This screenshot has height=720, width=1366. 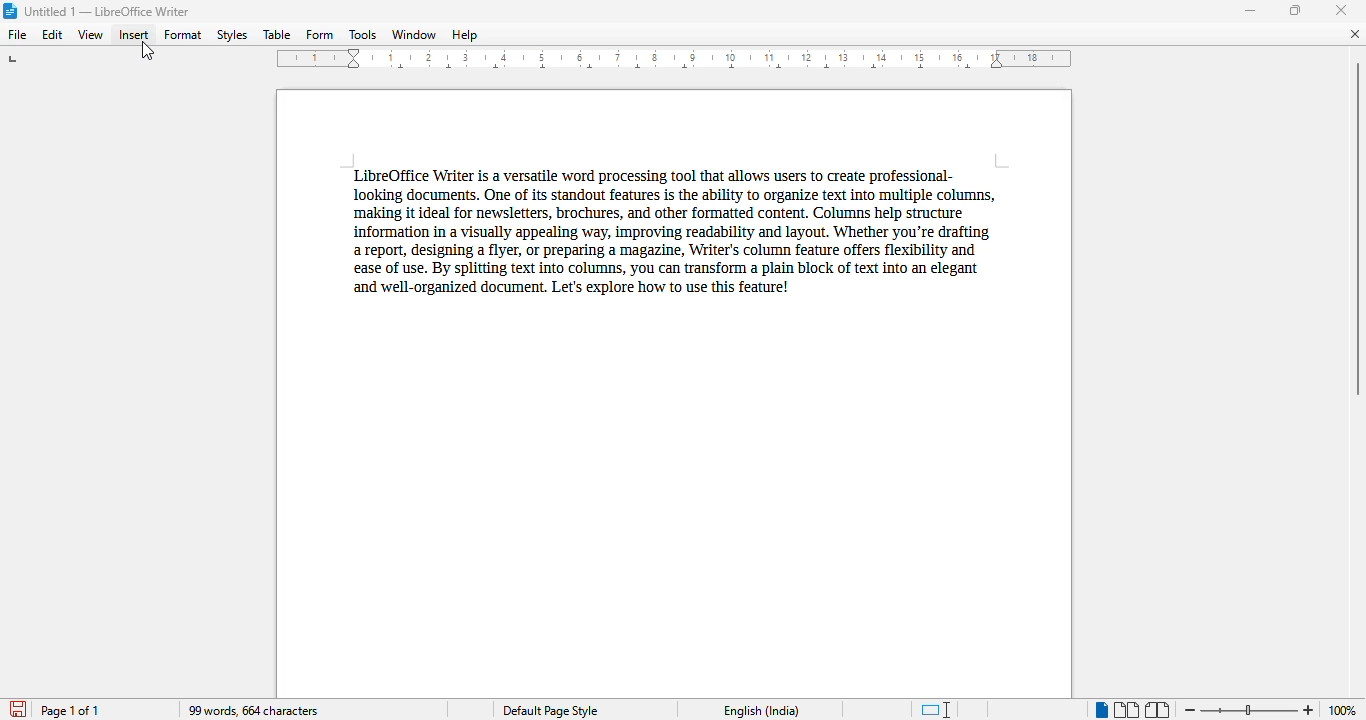 I want to click on Untitled 1 -- LibreOffice Writer, so click(x=110, y=10).